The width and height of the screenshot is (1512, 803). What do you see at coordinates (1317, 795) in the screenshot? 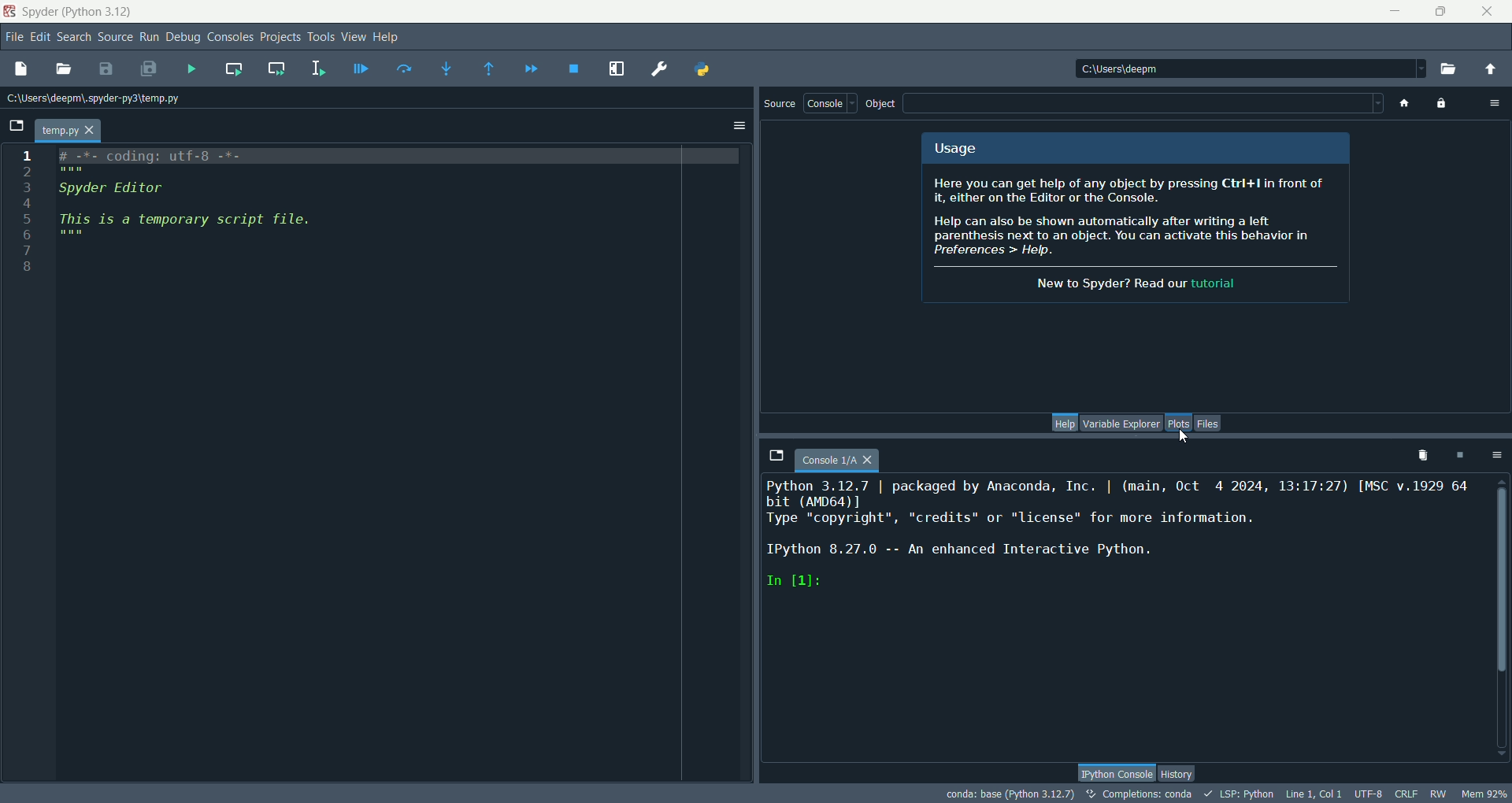
I see `line, col` at bounding box center [1317, 795].